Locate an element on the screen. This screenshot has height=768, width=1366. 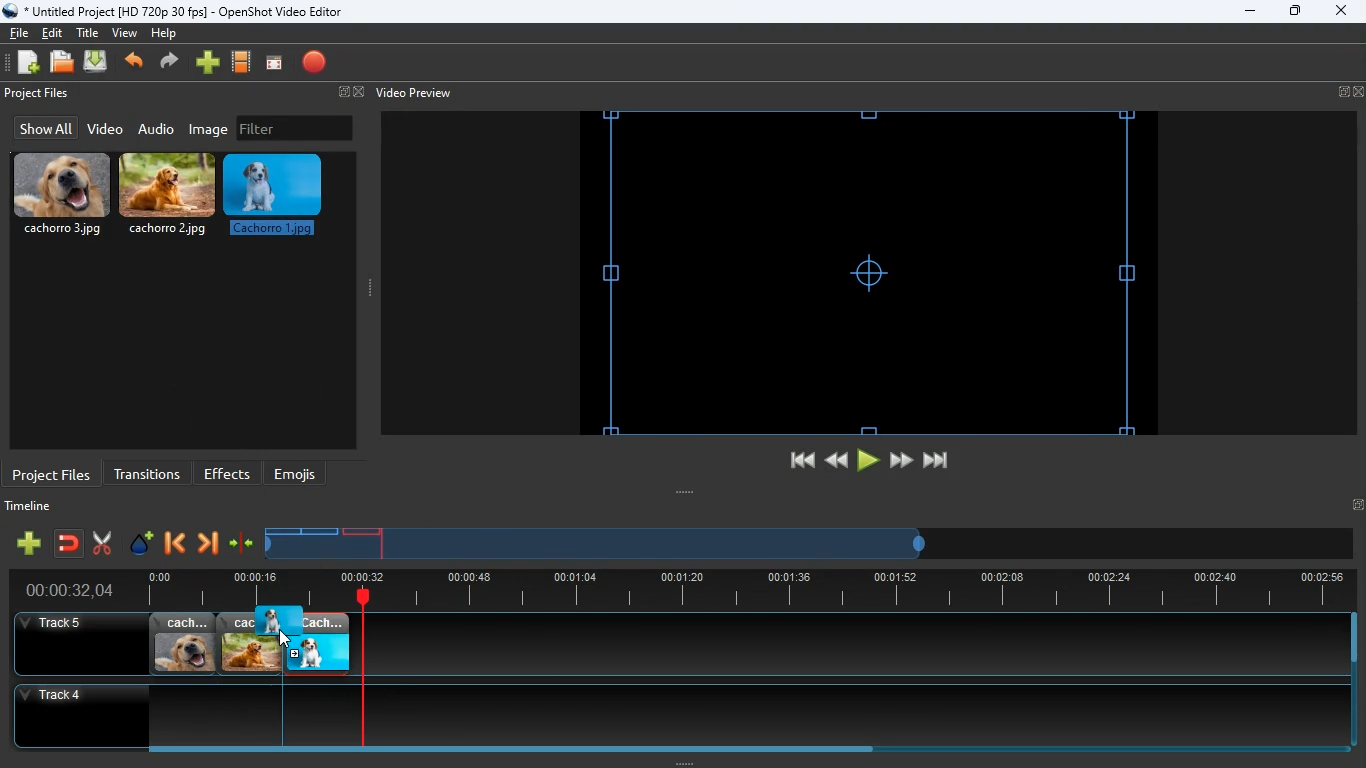
filter is located at coordinates (295, 128).